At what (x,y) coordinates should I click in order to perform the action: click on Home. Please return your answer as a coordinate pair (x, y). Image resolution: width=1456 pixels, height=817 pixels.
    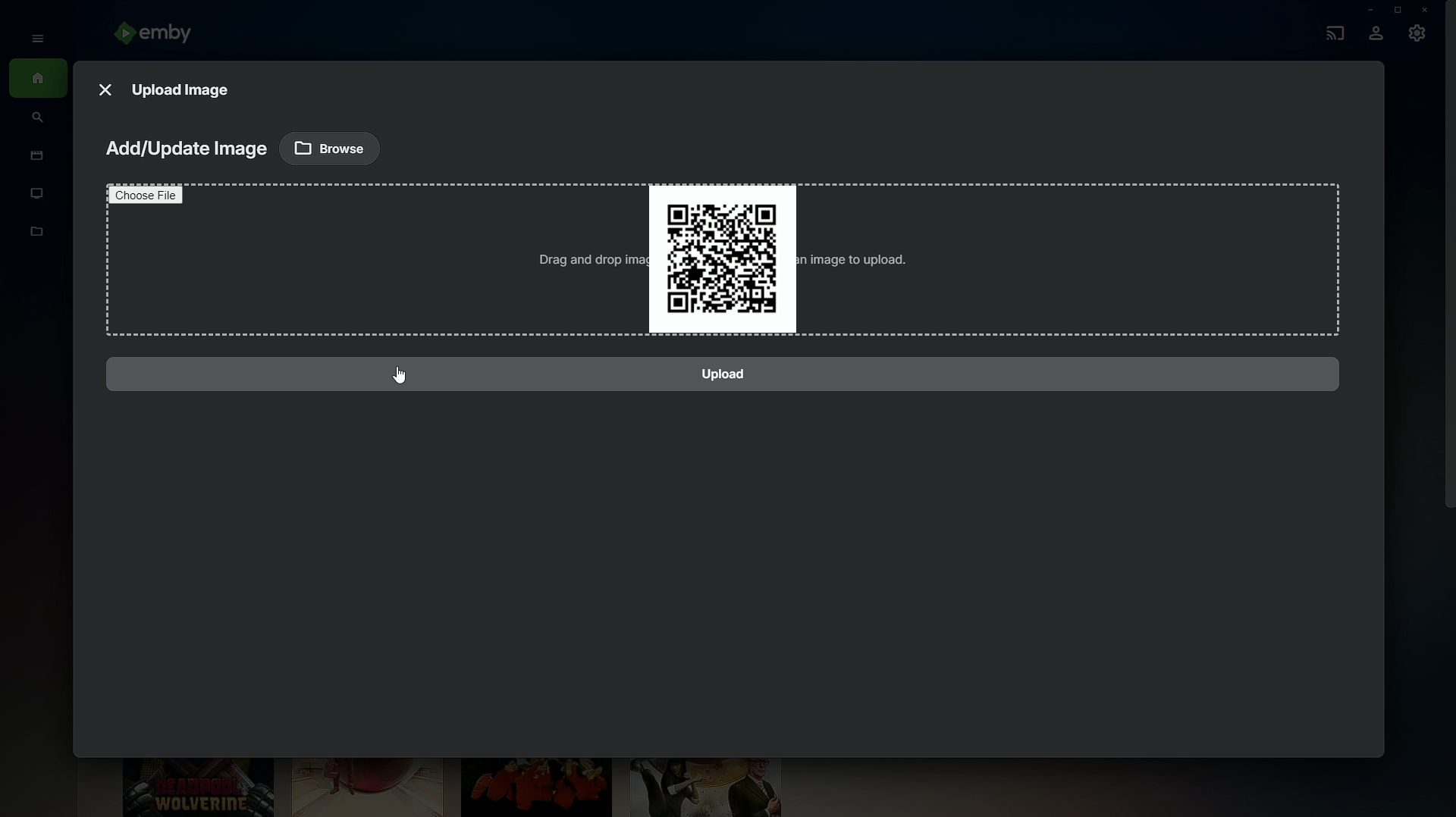
    Looking at the image, I should click on (38, 80).